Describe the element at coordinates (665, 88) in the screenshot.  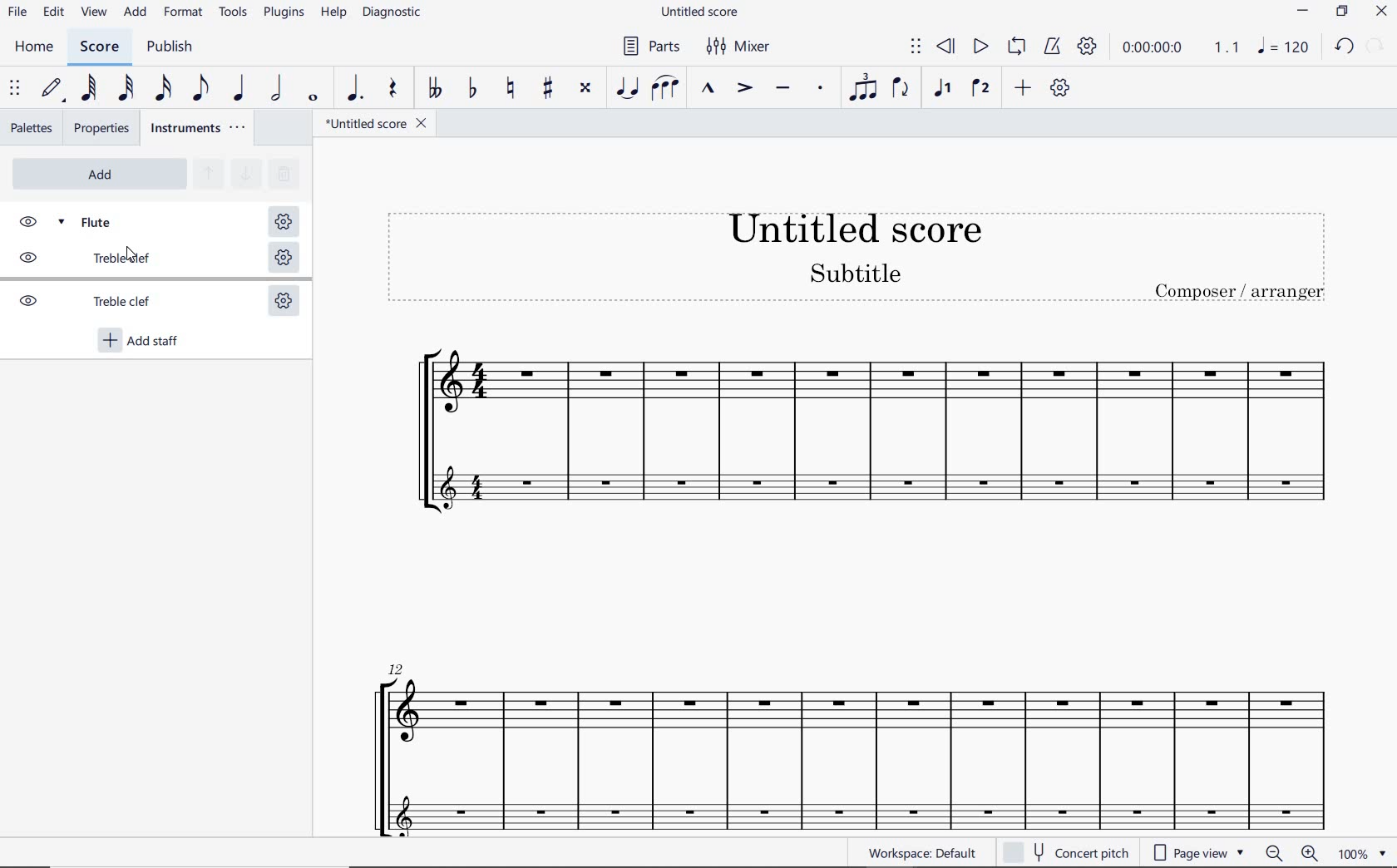
I see `SLUR` at that location.